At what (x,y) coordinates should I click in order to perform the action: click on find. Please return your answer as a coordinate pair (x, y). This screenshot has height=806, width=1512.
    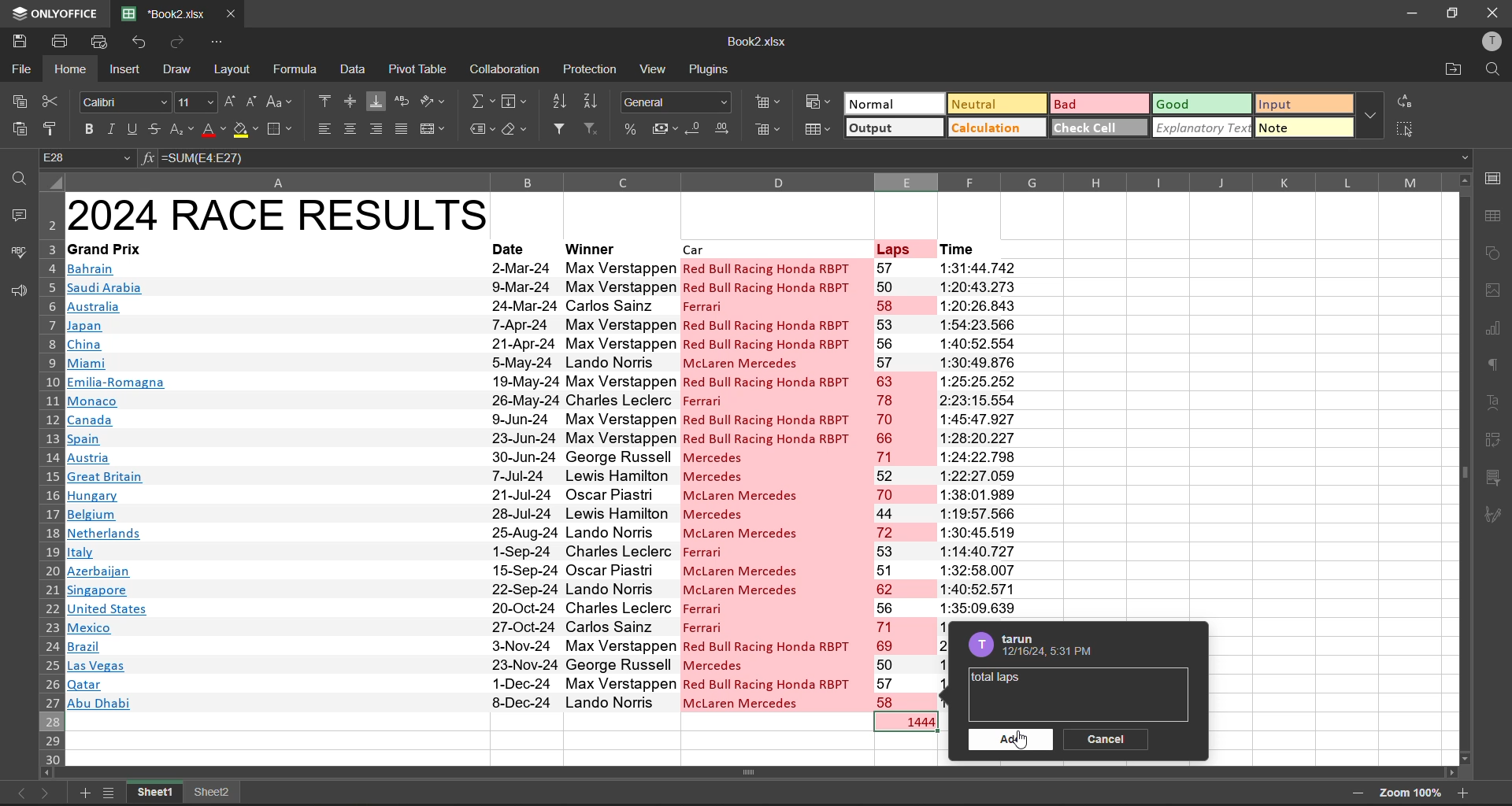
    Looking at the image, I should click on (1494, 70).